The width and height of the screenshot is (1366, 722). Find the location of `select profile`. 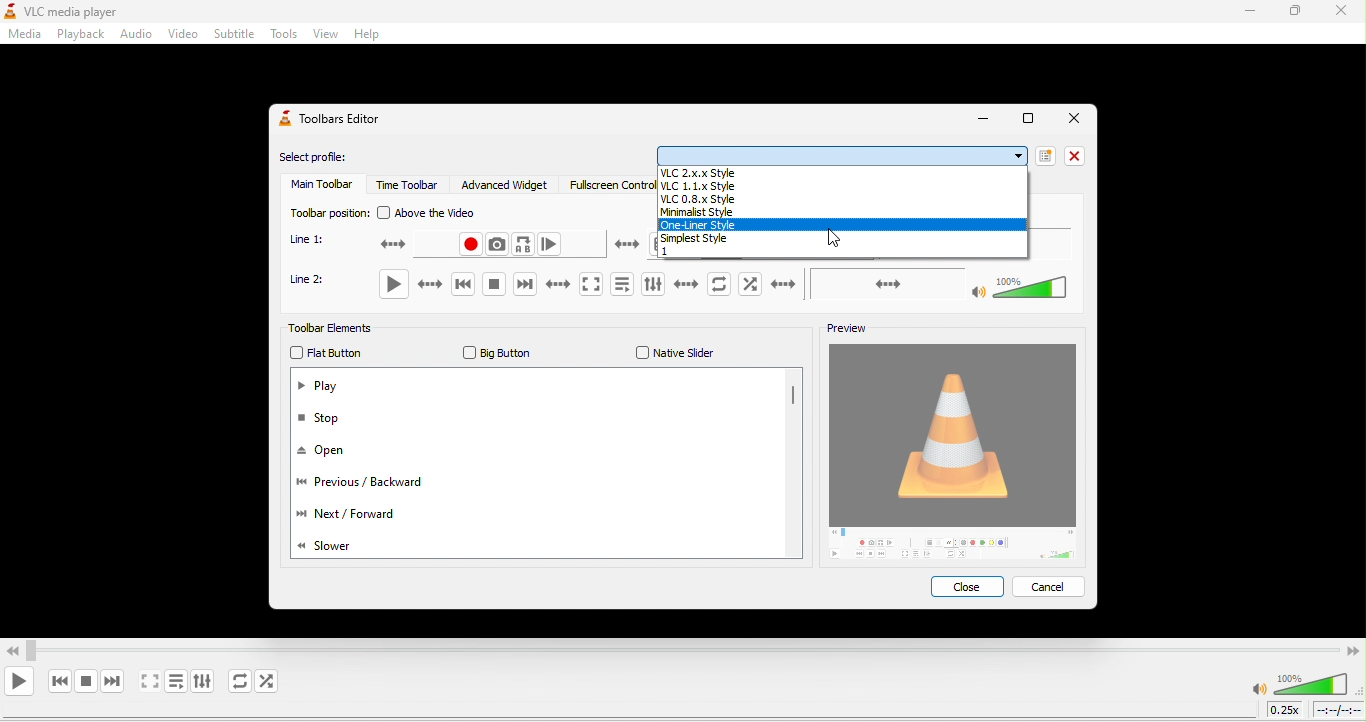

select profile is located at coordinates (332, 155).